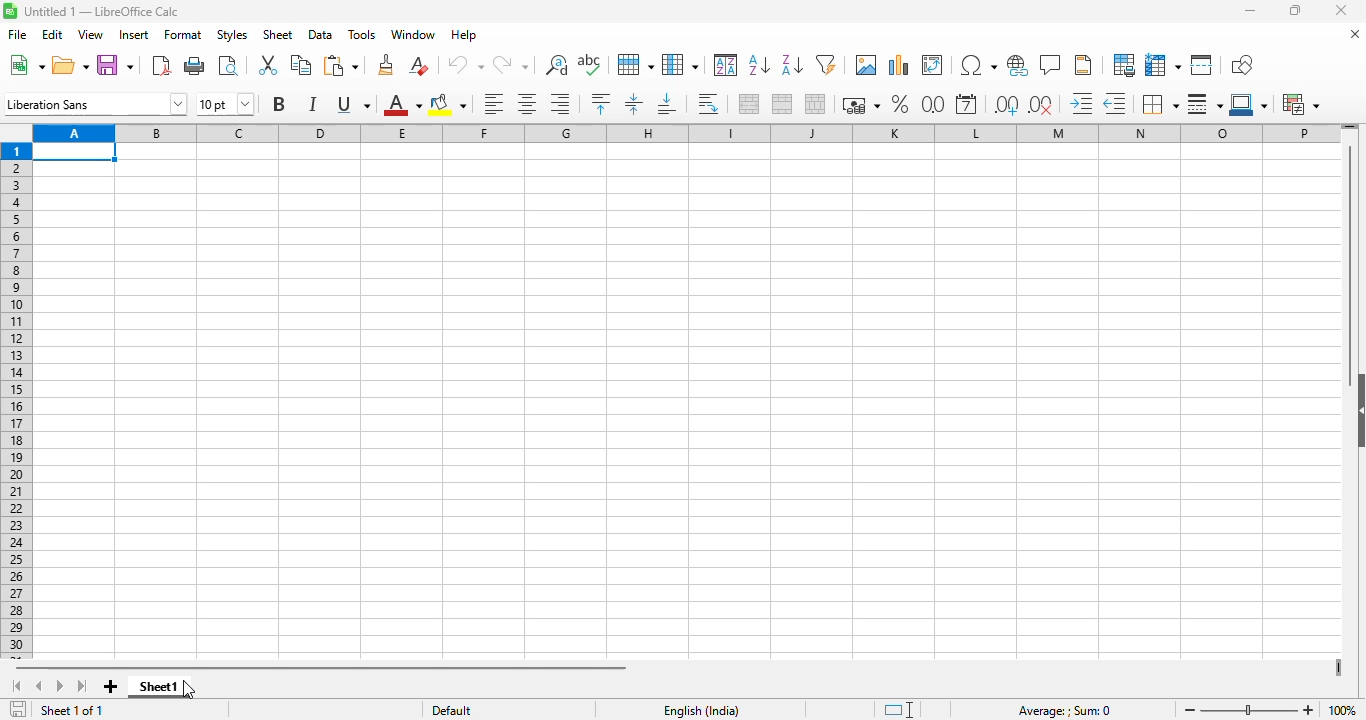  Describe the element at coordinates (901, 102) in the screenshot. I see `format as percent` at that location.